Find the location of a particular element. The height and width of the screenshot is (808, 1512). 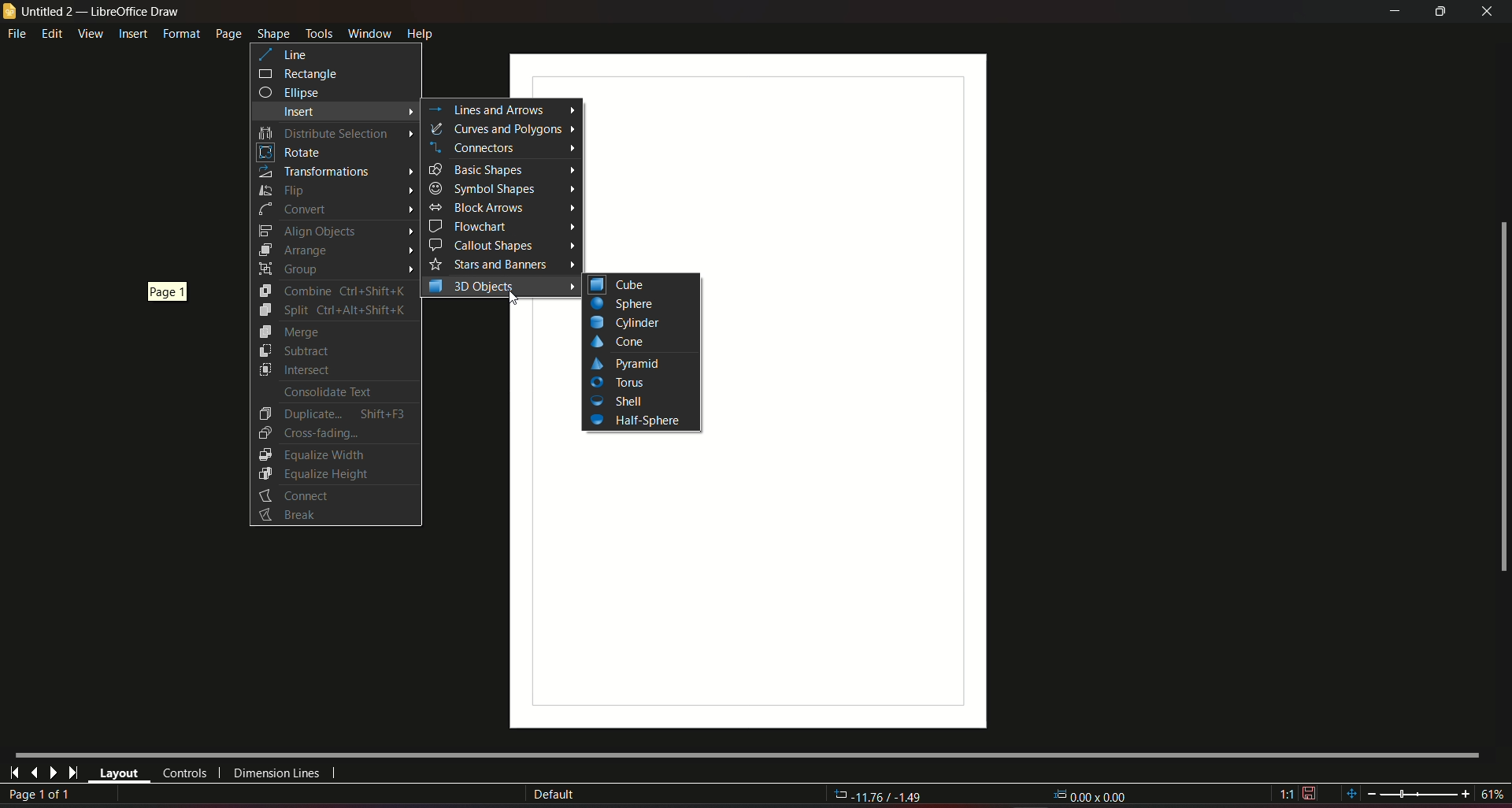

Default is located at coordinates (554, 795).